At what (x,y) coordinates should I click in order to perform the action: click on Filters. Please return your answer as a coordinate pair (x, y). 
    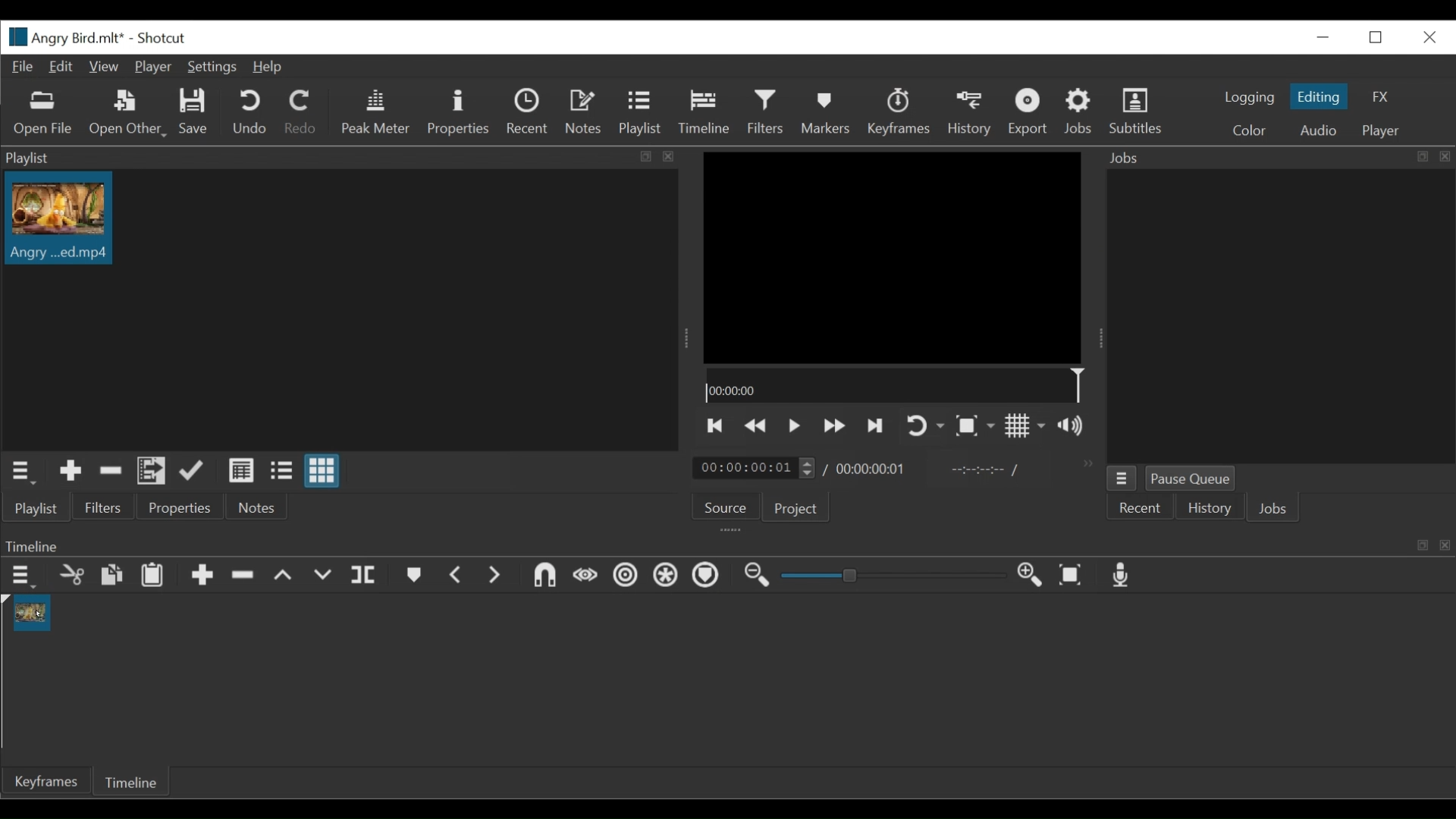
    Looking at the image, I should click on (106, 507).